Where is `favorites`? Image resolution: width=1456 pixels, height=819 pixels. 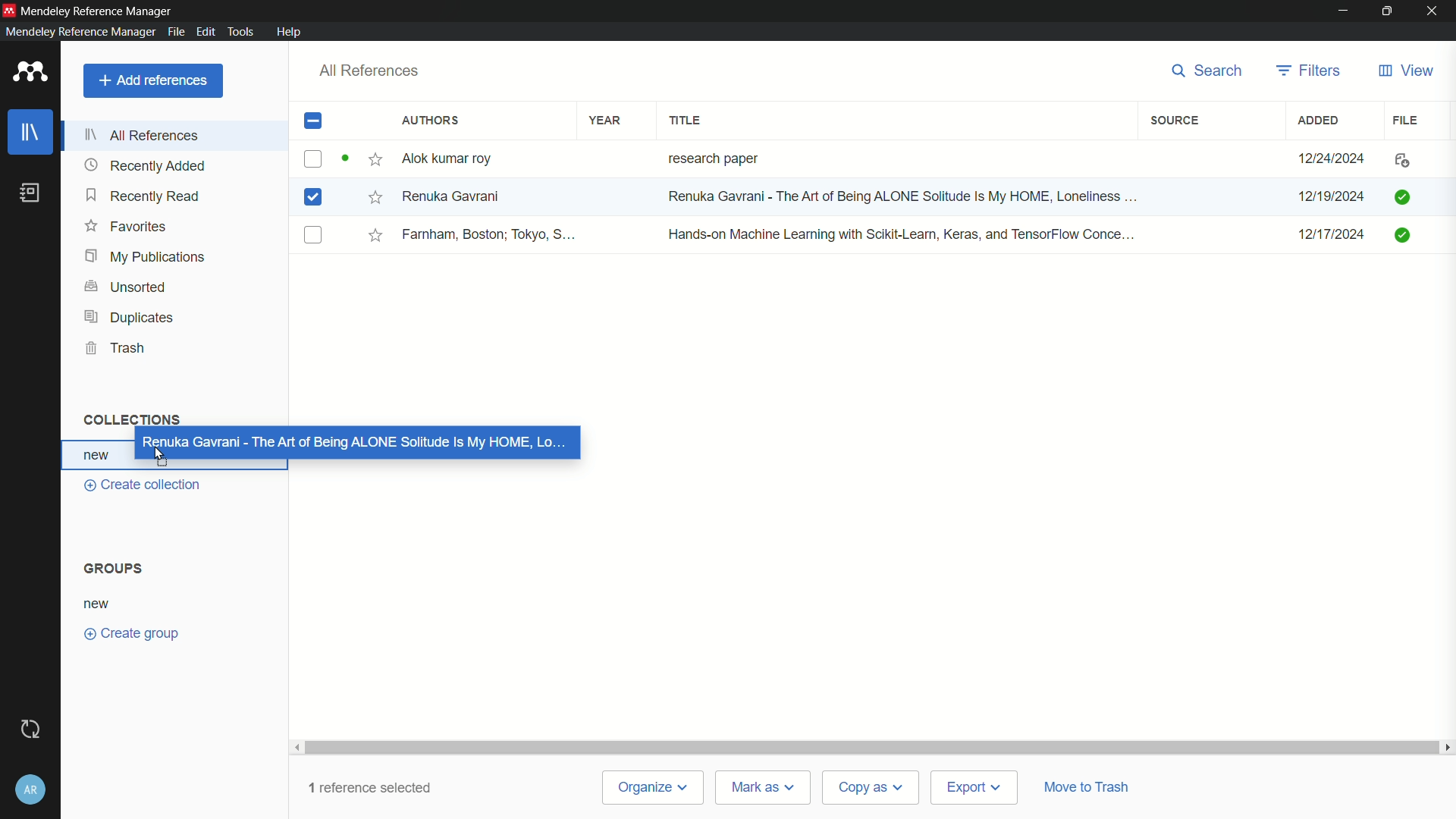
favorites is located at coordinates (124, 227).